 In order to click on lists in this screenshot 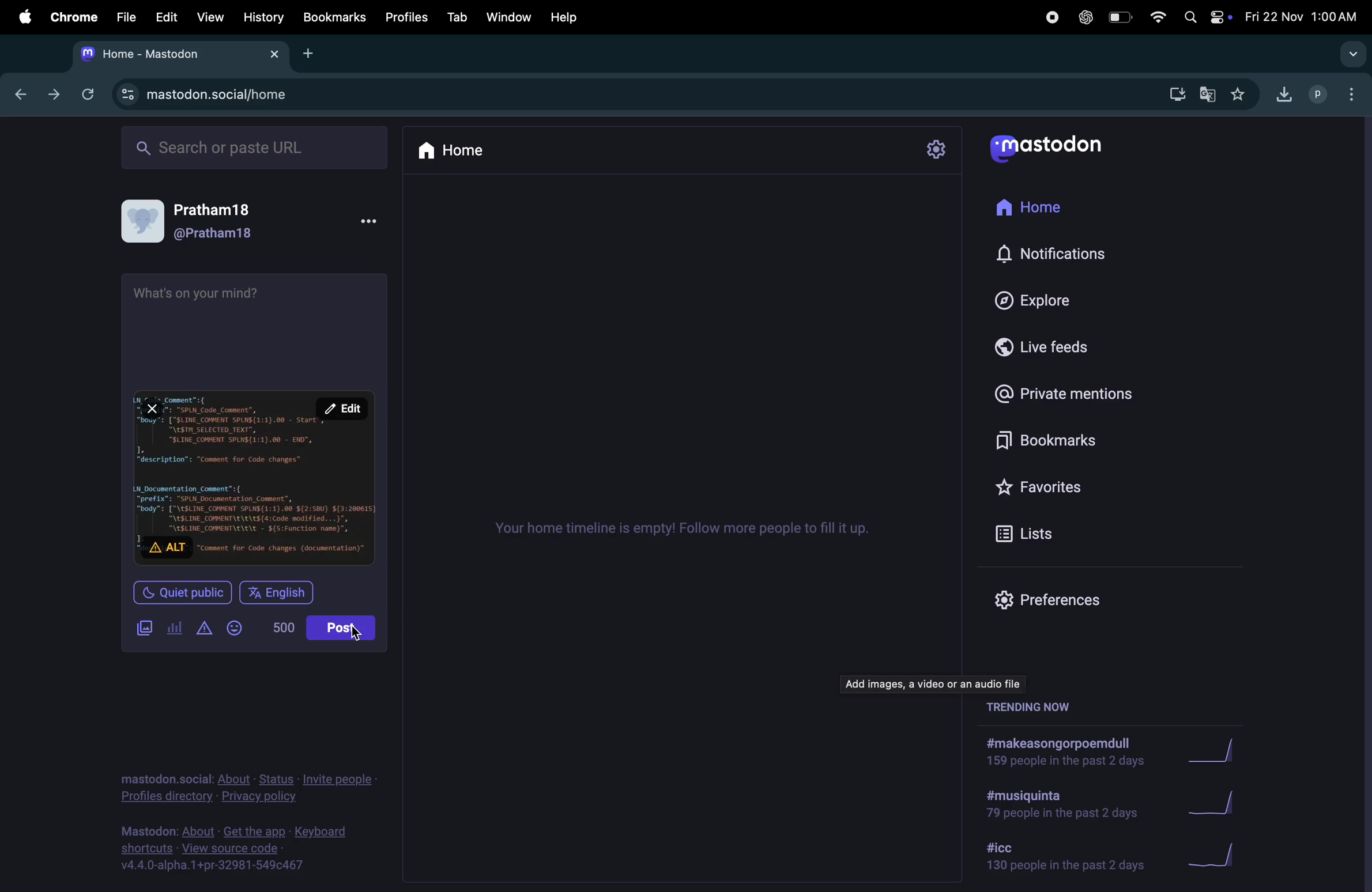, I will do `click(1081, 537)`.